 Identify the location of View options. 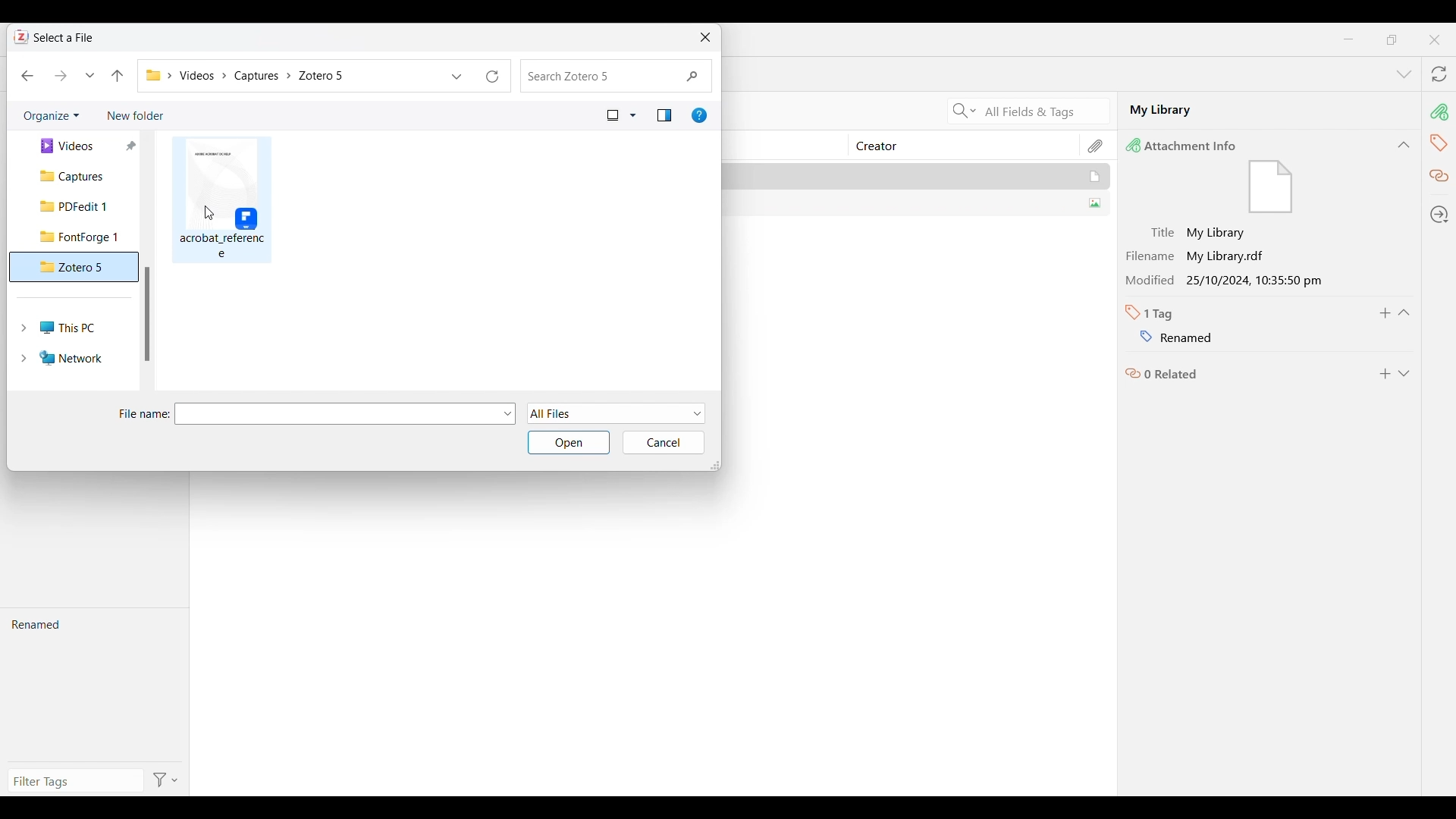
(632, 115).